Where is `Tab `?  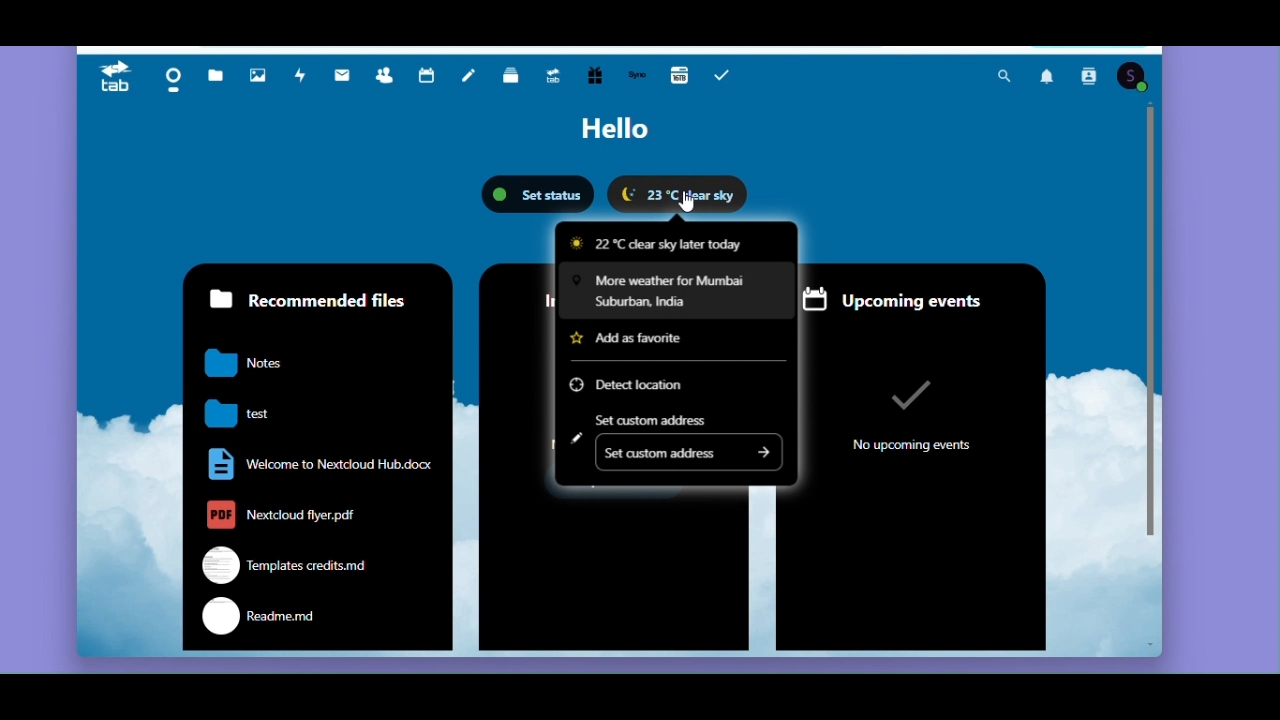 Tab  is located at coordinates (109, 79).